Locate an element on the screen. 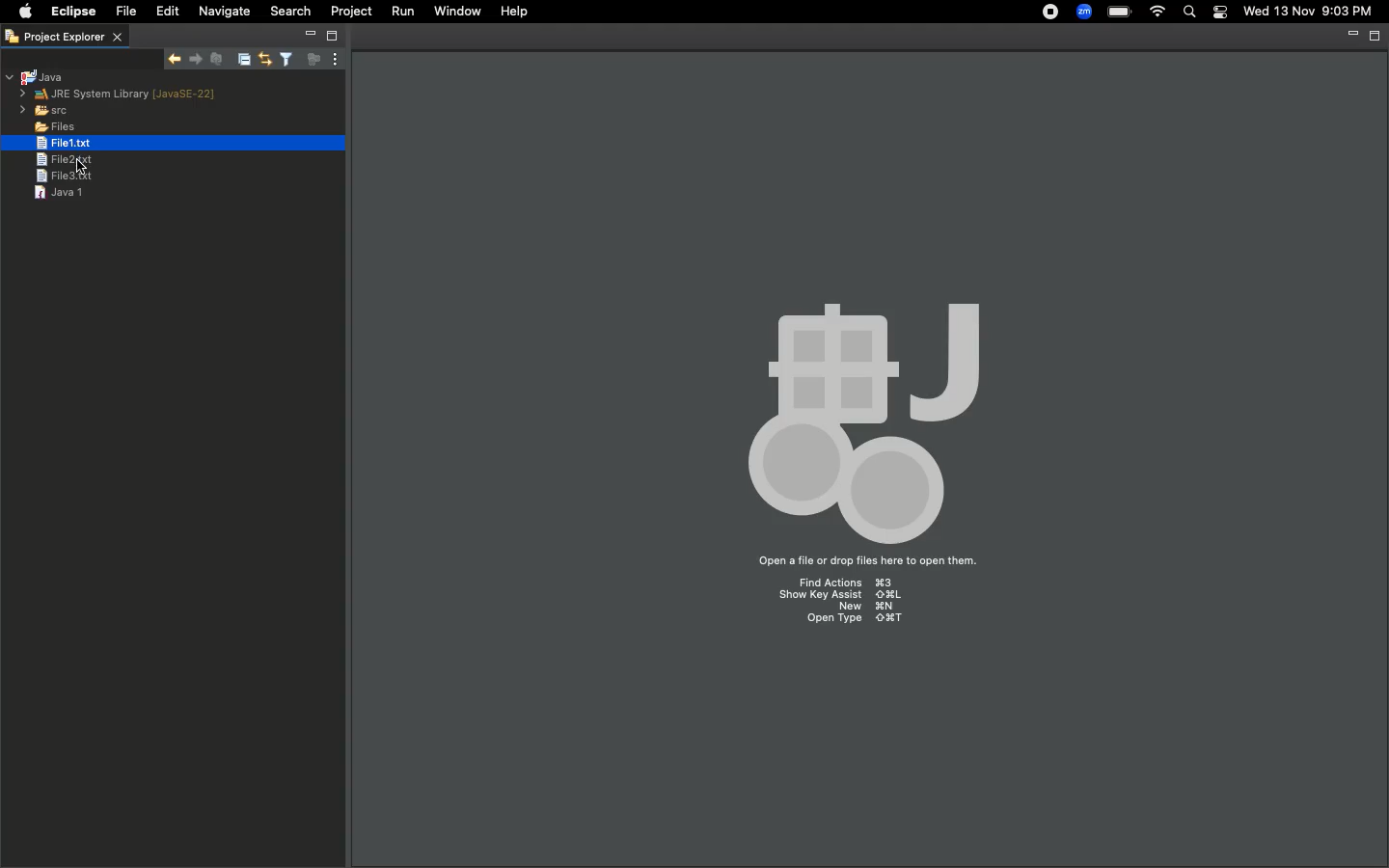 The width and height of the screenshot is (1389, 868). Select and deselect filters  is located at coordinates (285, 60).